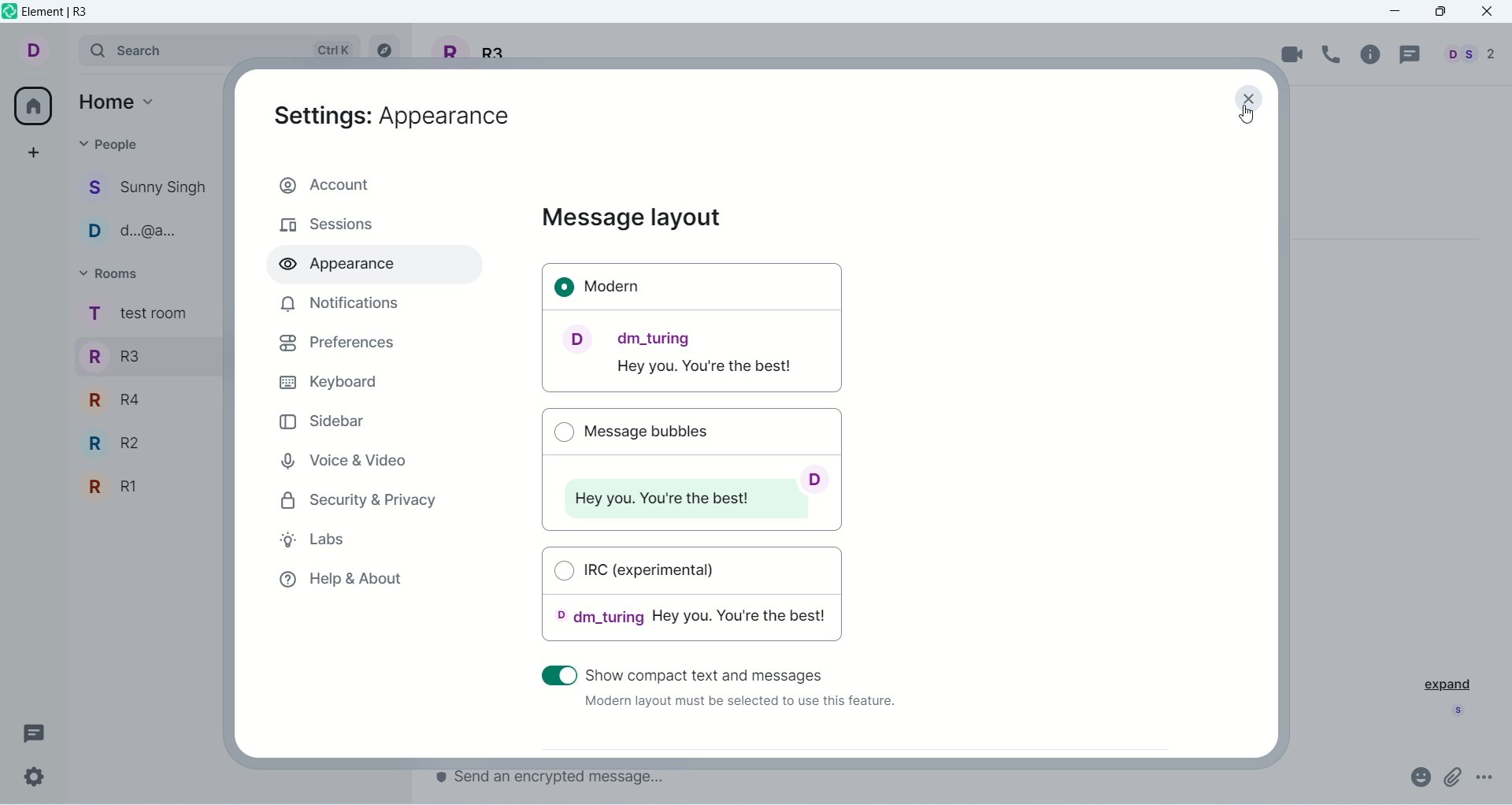 This screenshot has width=1512, height=805. I want to click on sidebar, so click(324, 421).